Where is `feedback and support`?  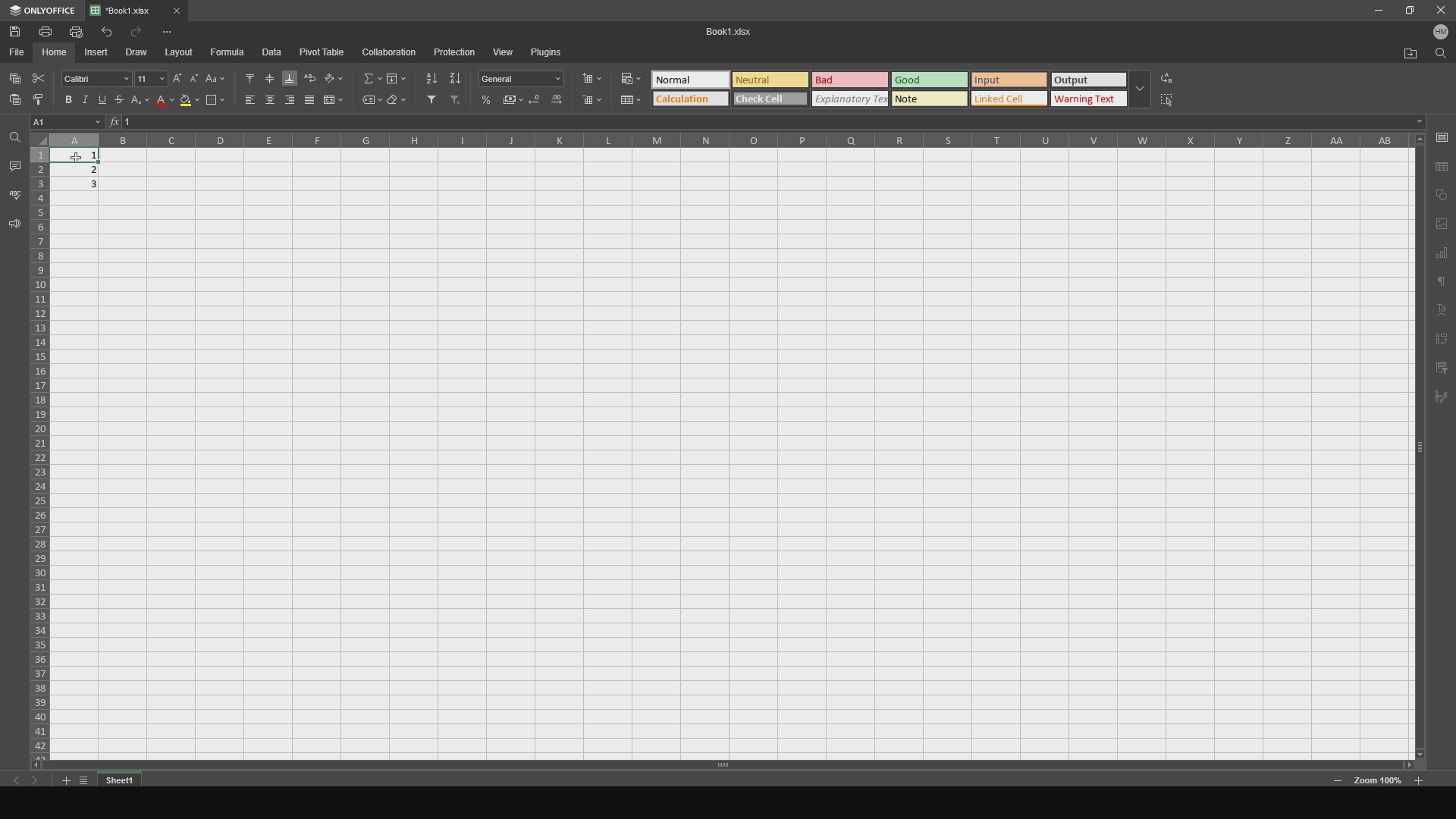 feedback and support is located at coordinates (13, 226).